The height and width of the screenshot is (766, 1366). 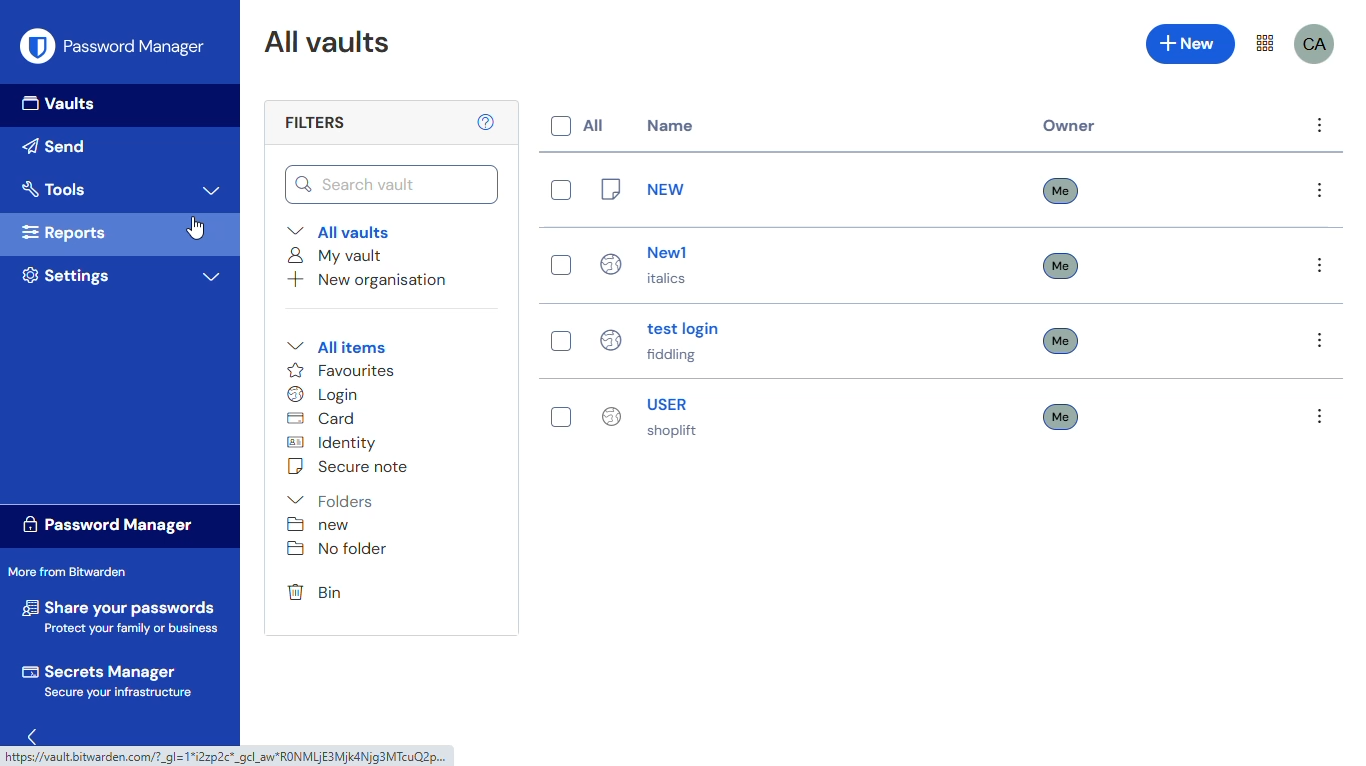 What do you see at coordinates (348, 466) in the screenshot?
I see `secure note` at bounding box center [348, 466].